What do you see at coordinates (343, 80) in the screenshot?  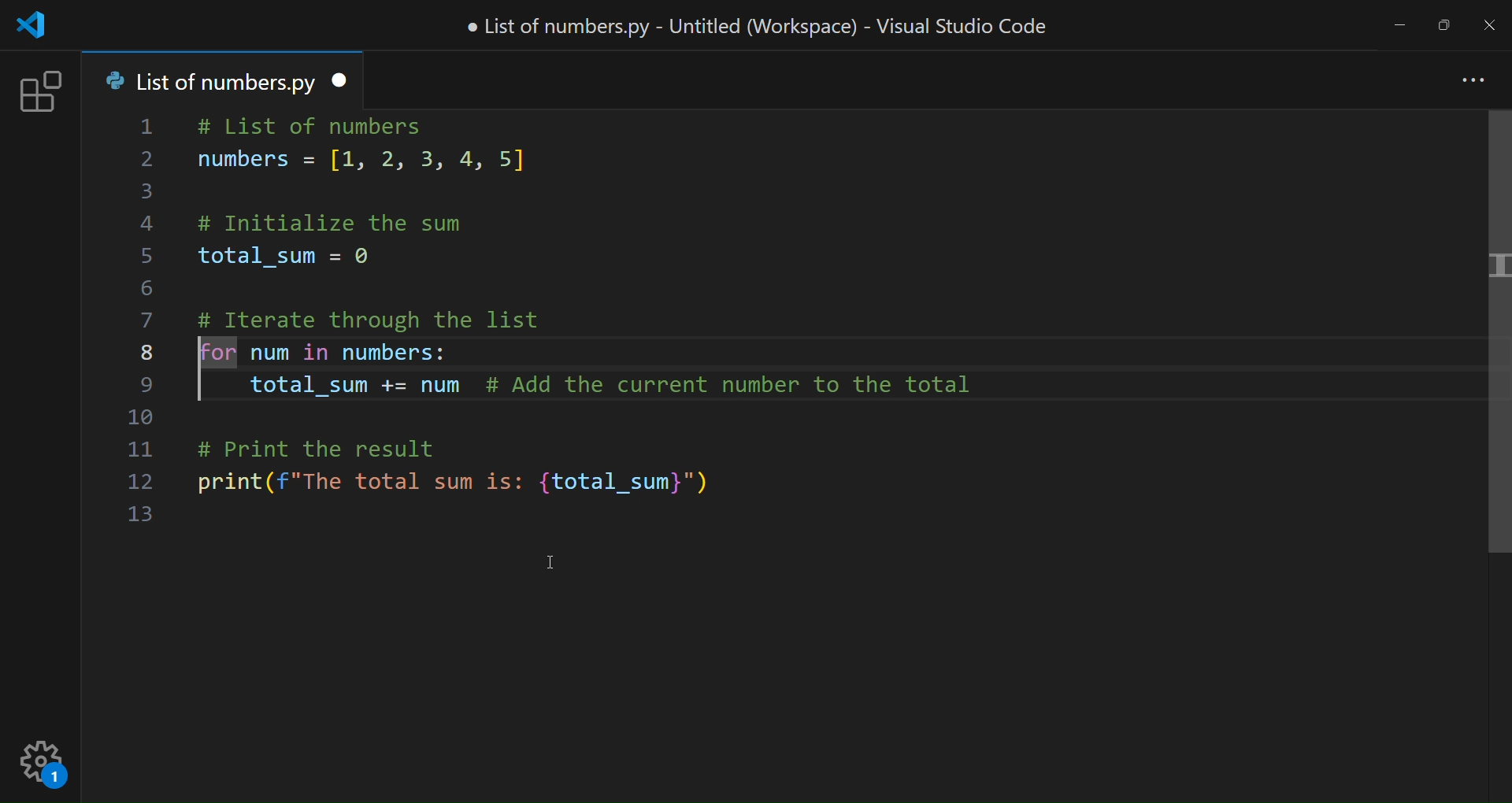 I see `close tab` at bounding box center [343, 80].